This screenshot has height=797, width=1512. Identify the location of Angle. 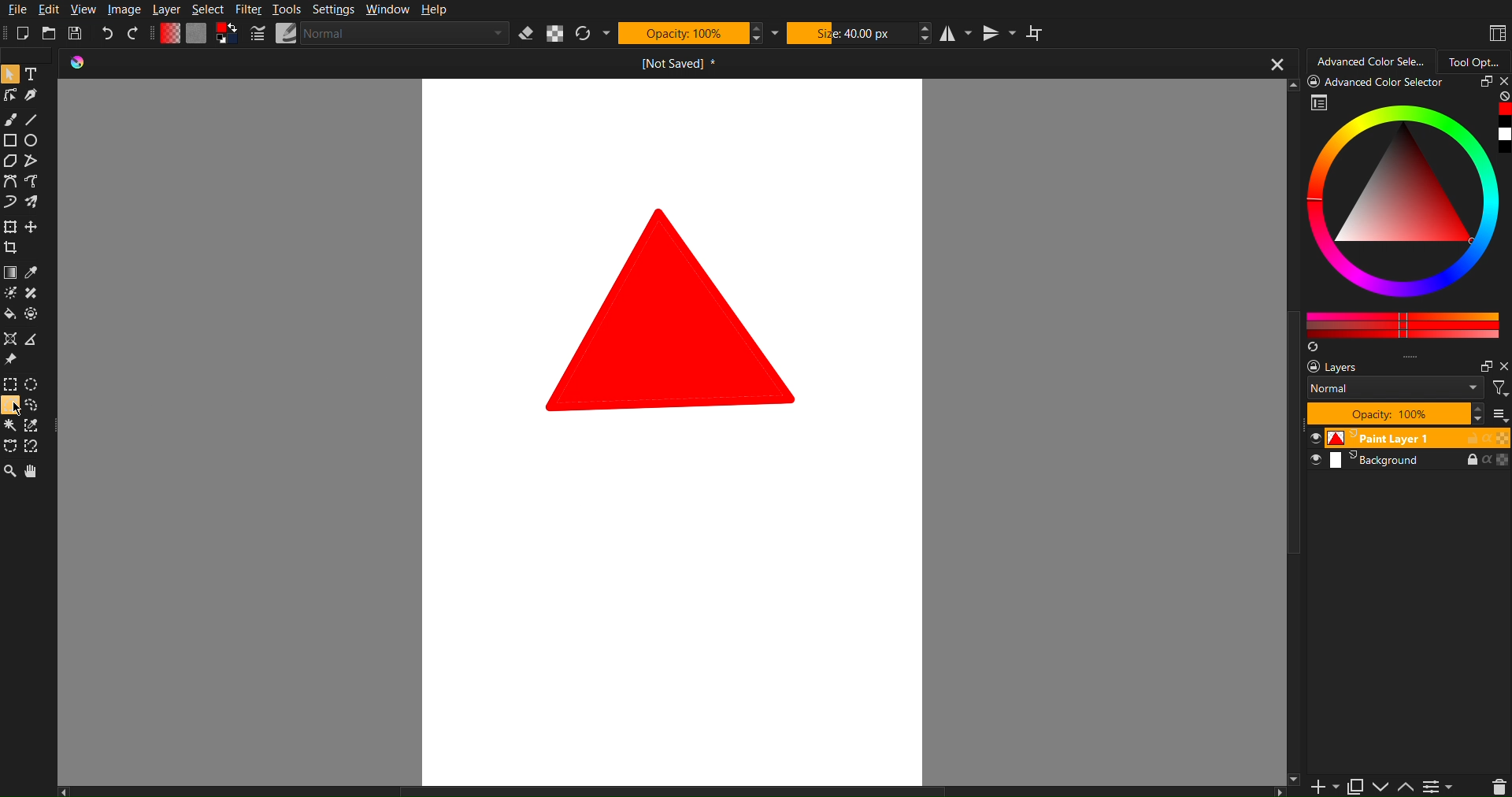
(31, 342).